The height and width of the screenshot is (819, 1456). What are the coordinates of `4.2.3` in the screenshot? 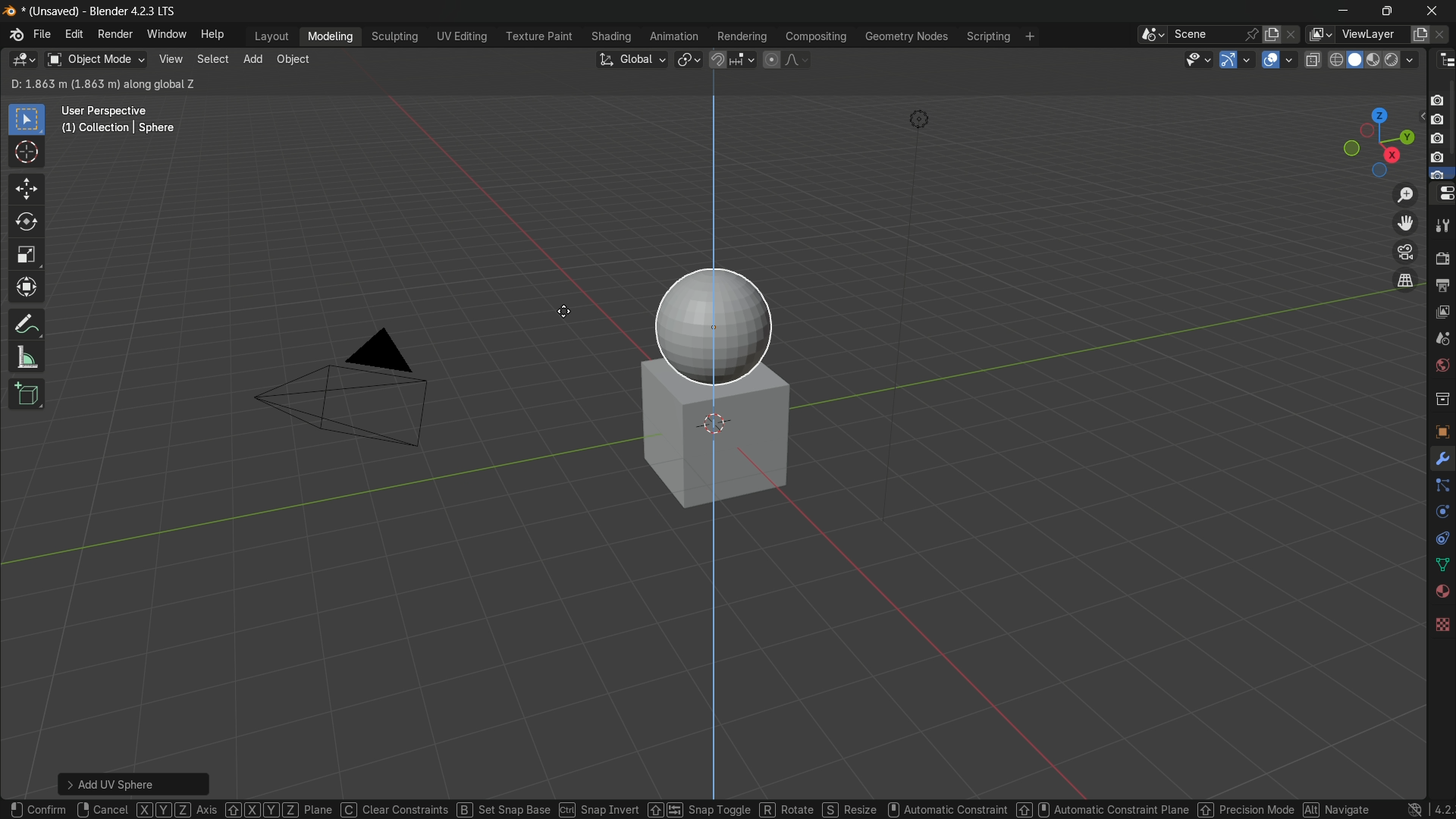 It's located at (1432, 808).